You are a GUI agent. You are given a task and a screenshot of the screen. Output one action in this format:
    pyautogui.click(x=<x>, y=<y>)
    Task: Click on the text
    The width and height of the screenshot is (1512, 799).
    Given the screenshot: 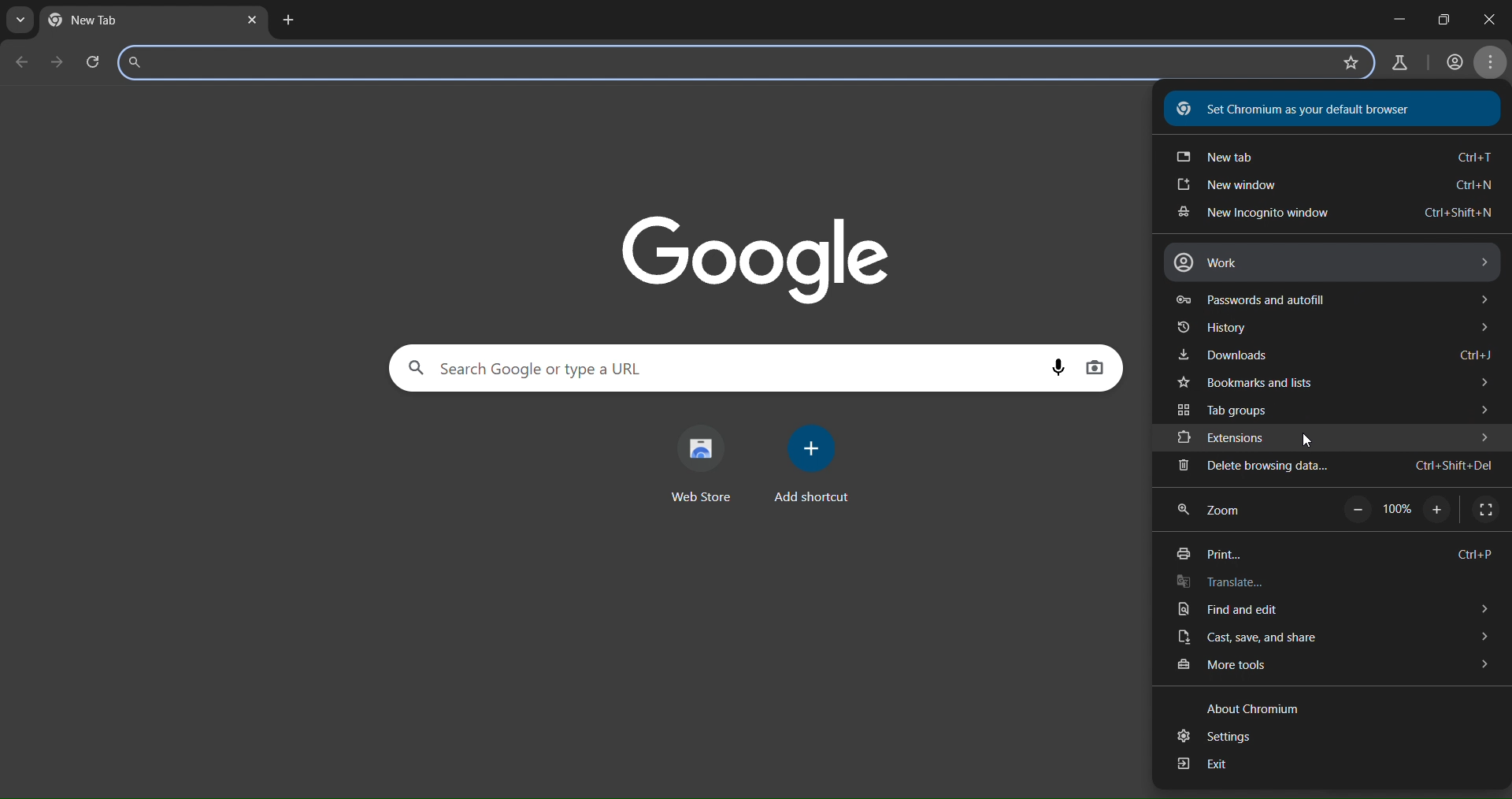 What is the action you would take?
    pyautogui.click(x=1258, y=711)
    